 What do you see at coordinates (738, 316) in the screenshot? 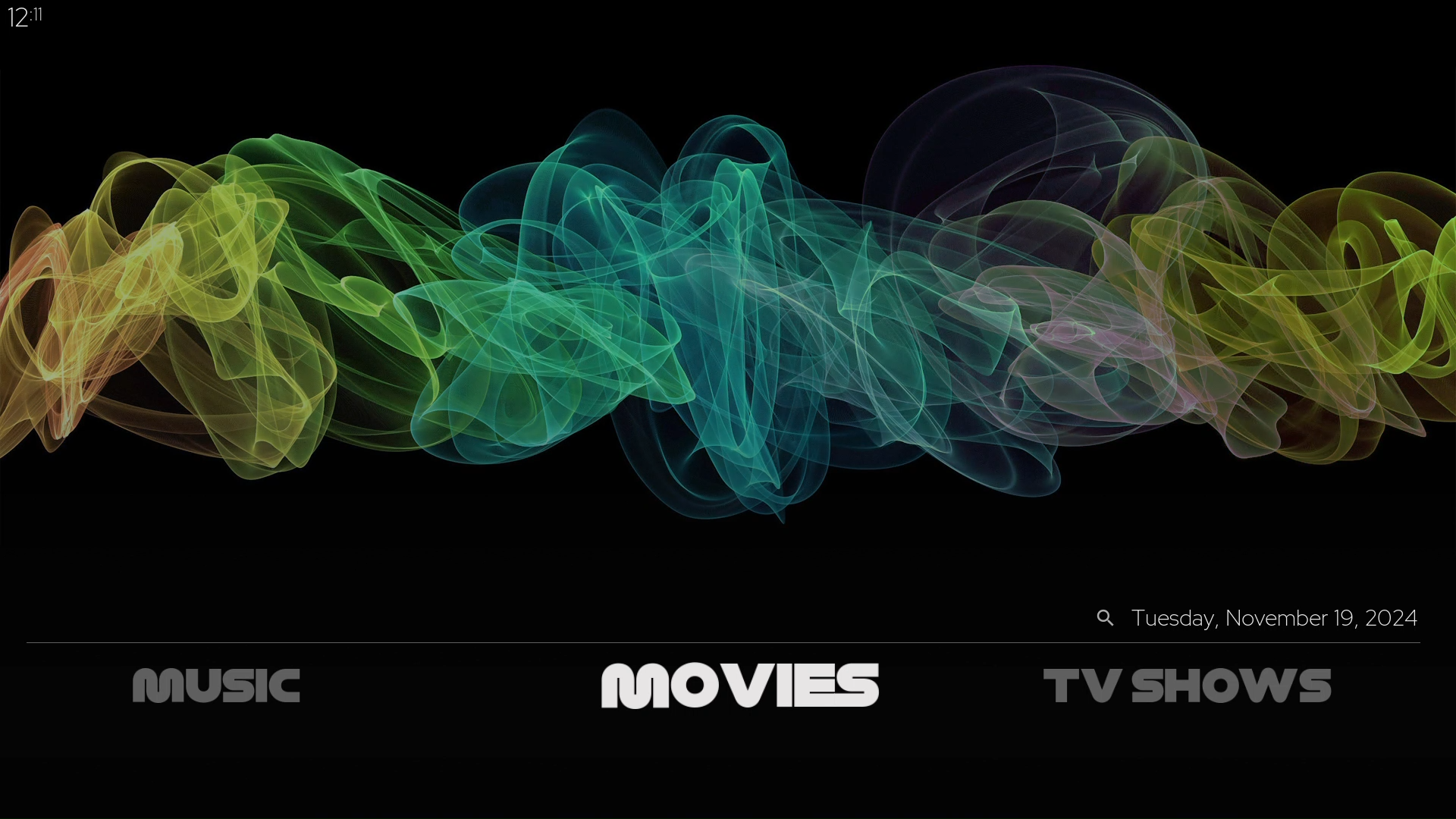
I see `changed theme` at bounding box center [738, 316].